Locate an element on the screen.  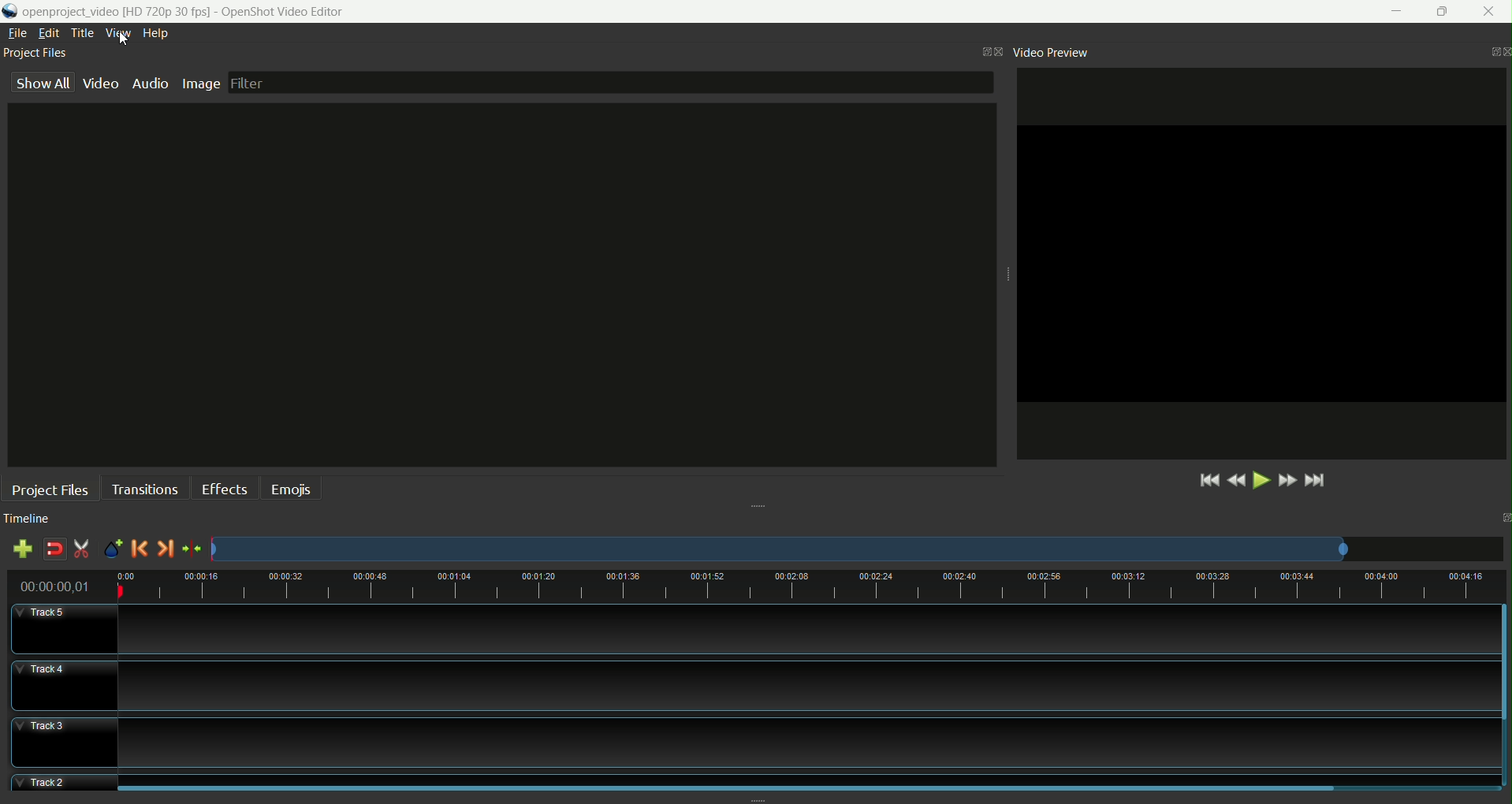
disable snapping is located at coordinates (54, 549).